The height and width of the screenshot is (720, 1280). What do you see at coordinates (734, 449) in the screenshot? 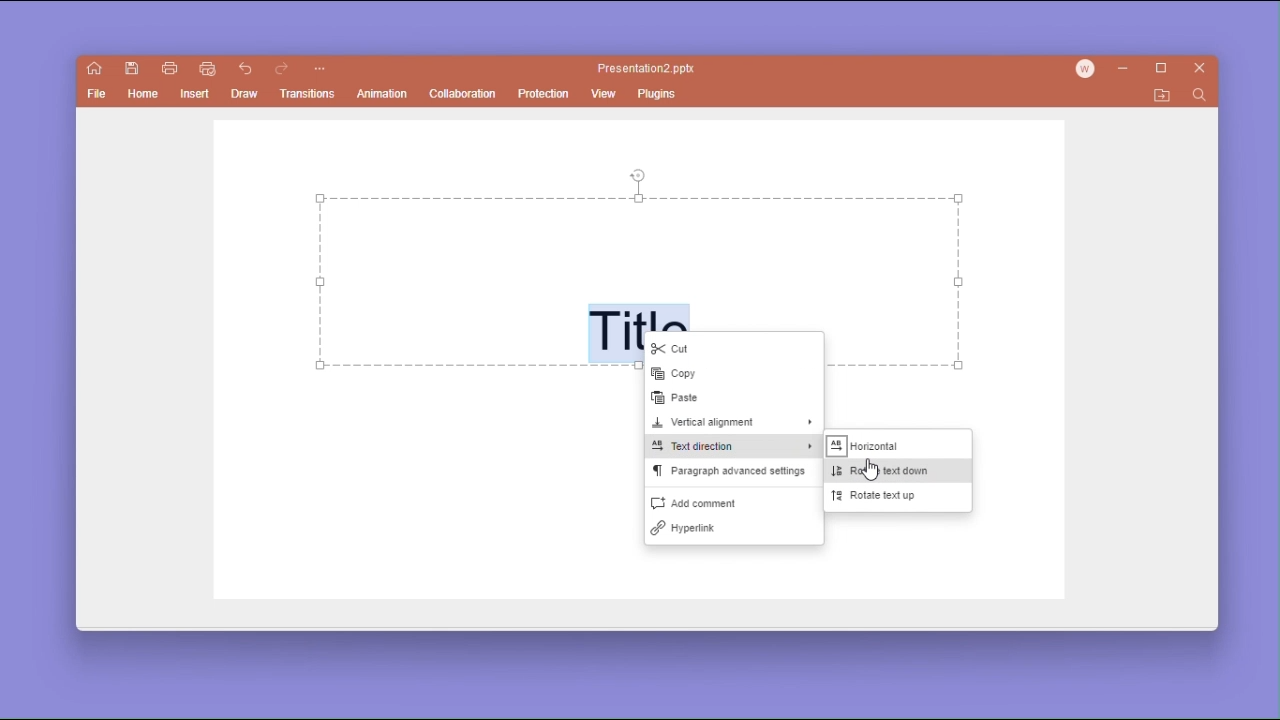
I see `text direction` at bounding box center [734, 449].